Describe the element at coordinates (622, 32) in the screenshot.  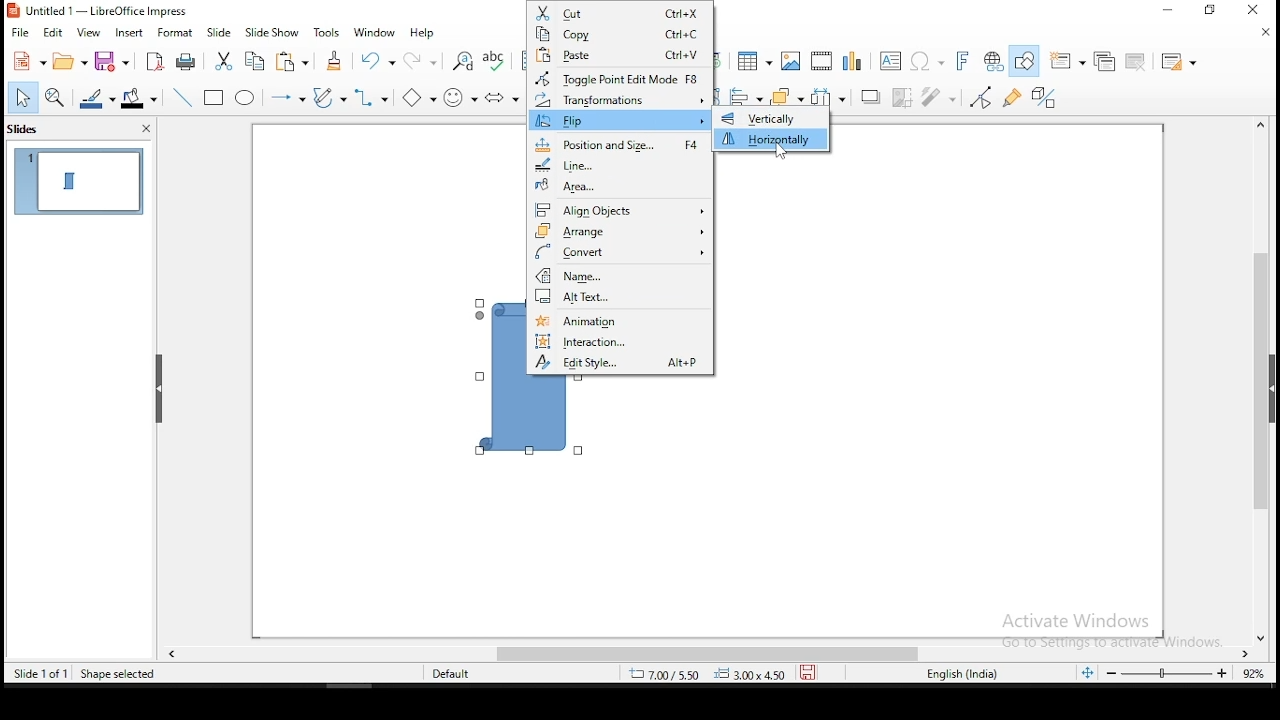
I see `copy` at that location.